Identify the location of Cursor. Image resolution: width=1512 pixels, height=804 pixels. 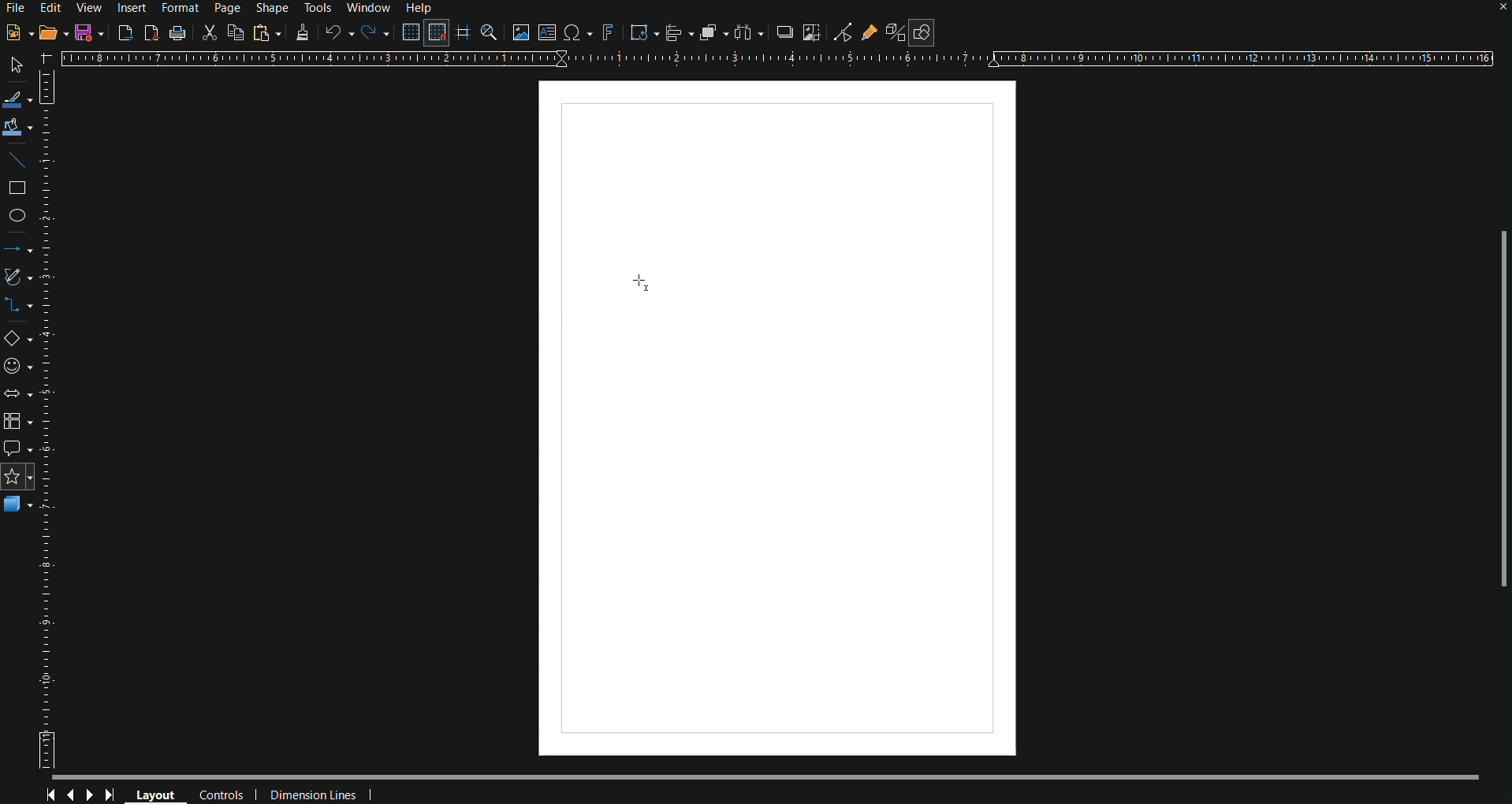
(639, 281).